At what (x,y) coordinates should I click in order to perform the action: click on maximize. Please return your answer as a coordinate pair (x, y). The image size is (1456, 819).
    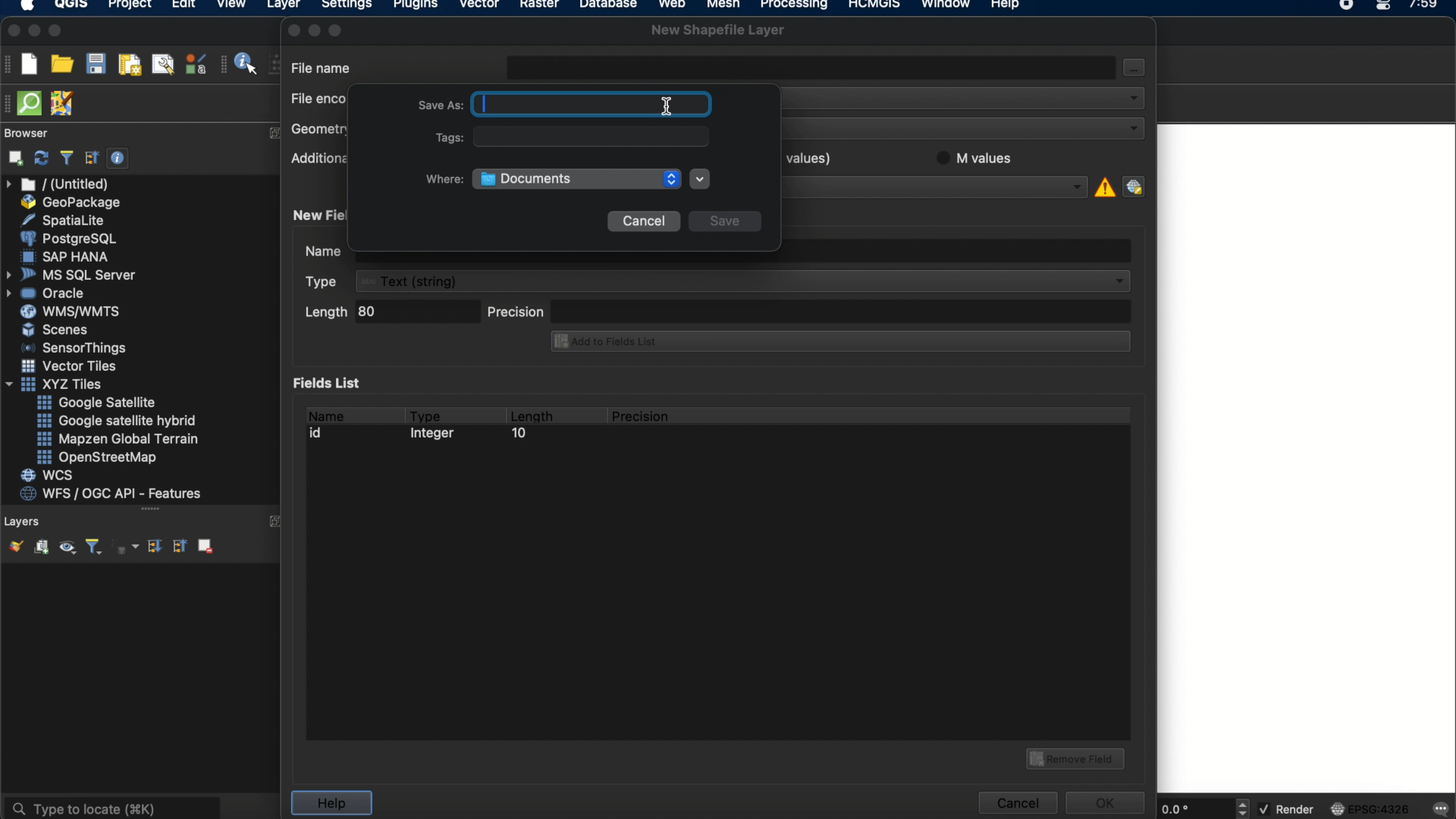
    Looking at the image, I should click on (56, 32).